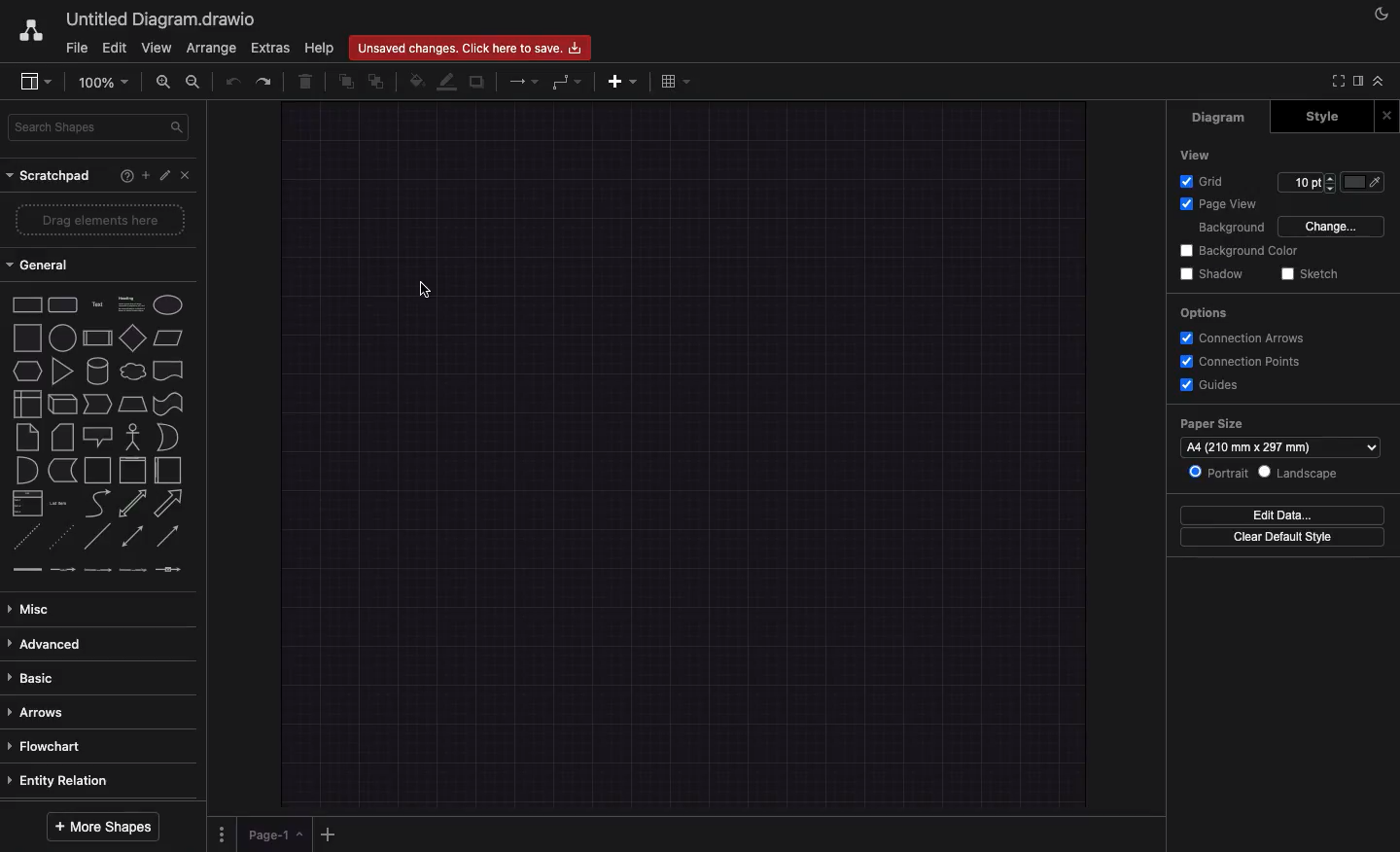 The image size is (1400, 852). I want to click on card, so click(61, 437).